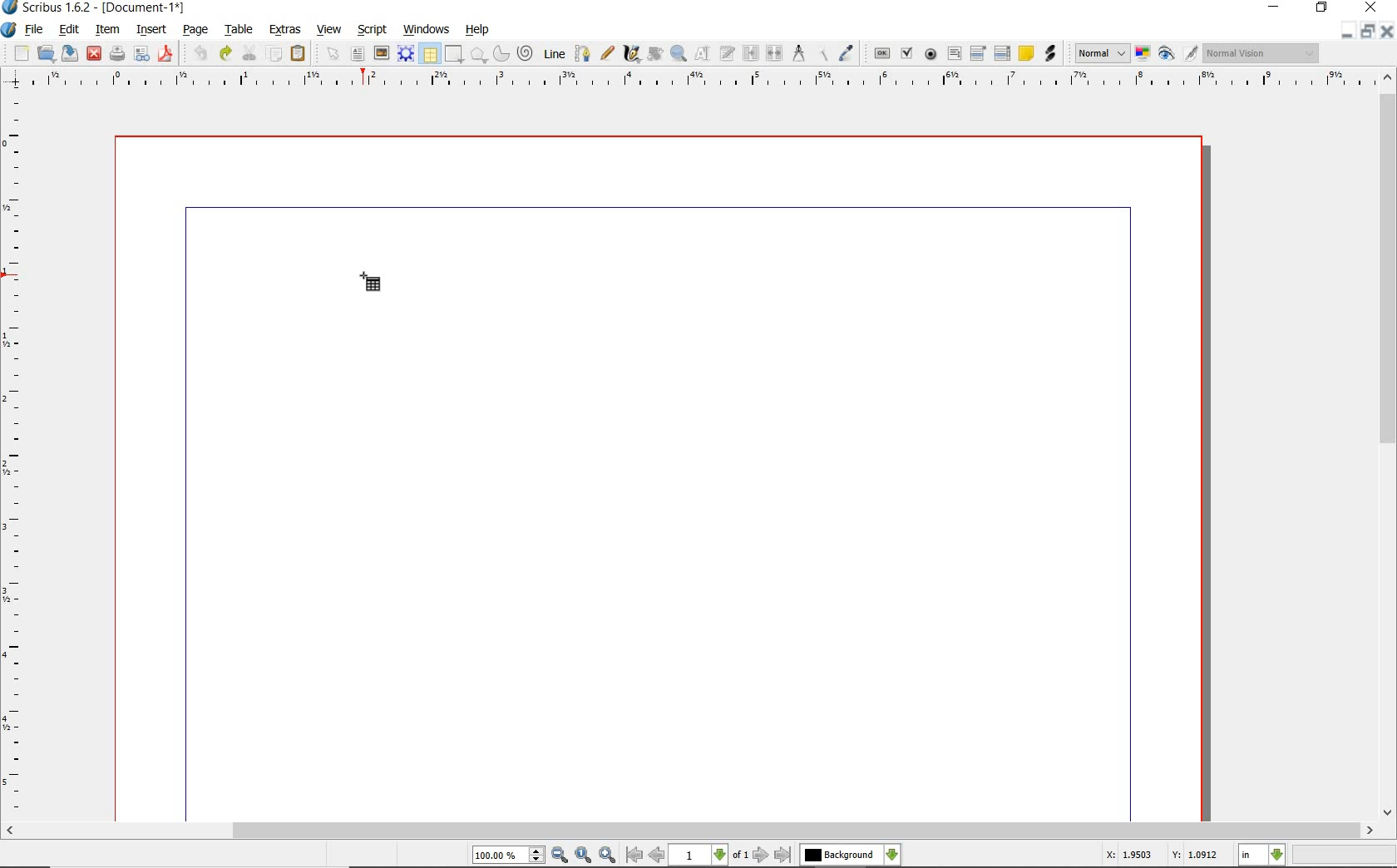  Describe the element at coordinates (503, 55) in the screenshot. I see `arc` at that location.